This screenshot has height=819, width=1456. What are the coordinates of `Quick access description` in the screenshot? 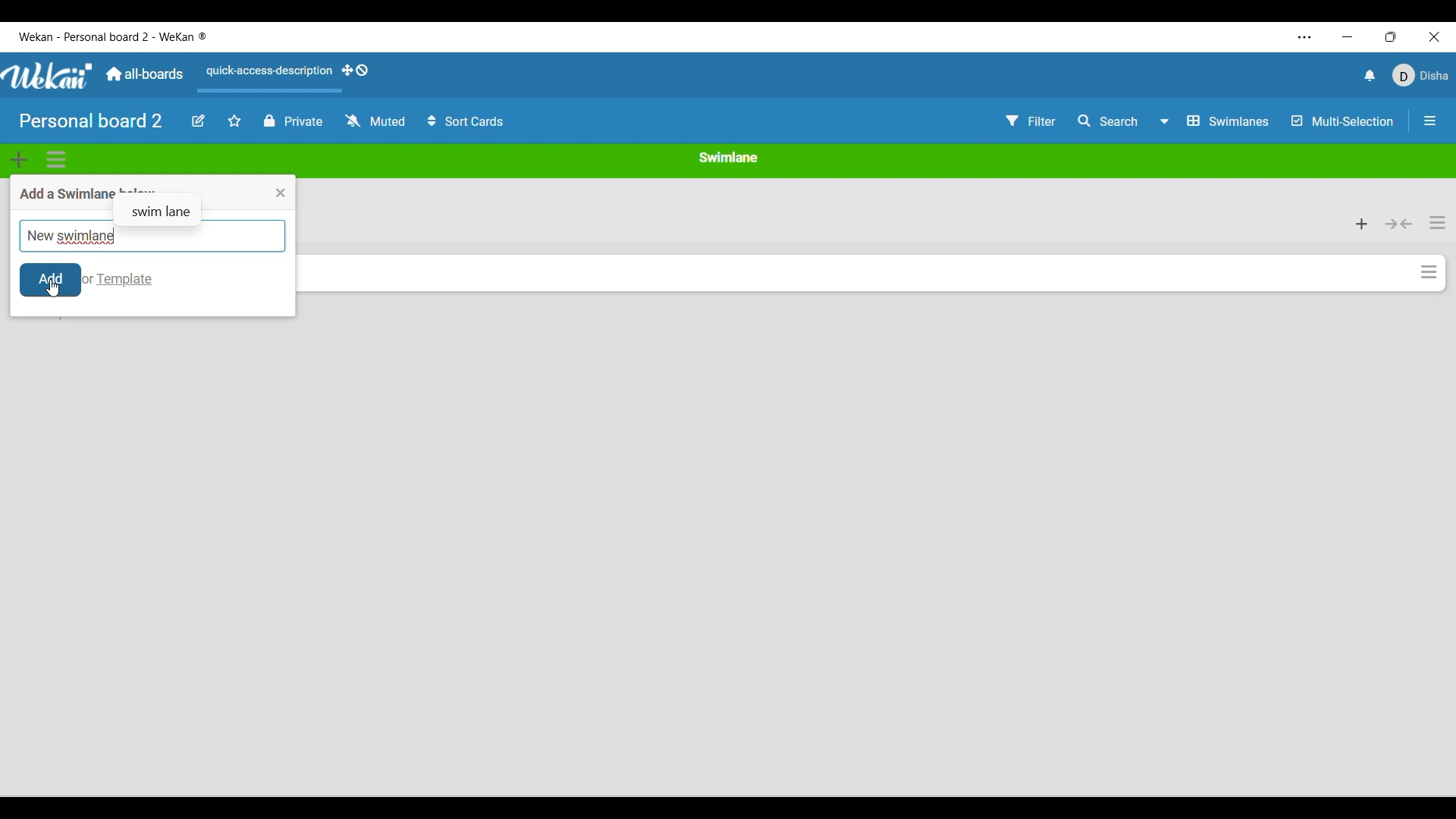 It's located at (266, 77).